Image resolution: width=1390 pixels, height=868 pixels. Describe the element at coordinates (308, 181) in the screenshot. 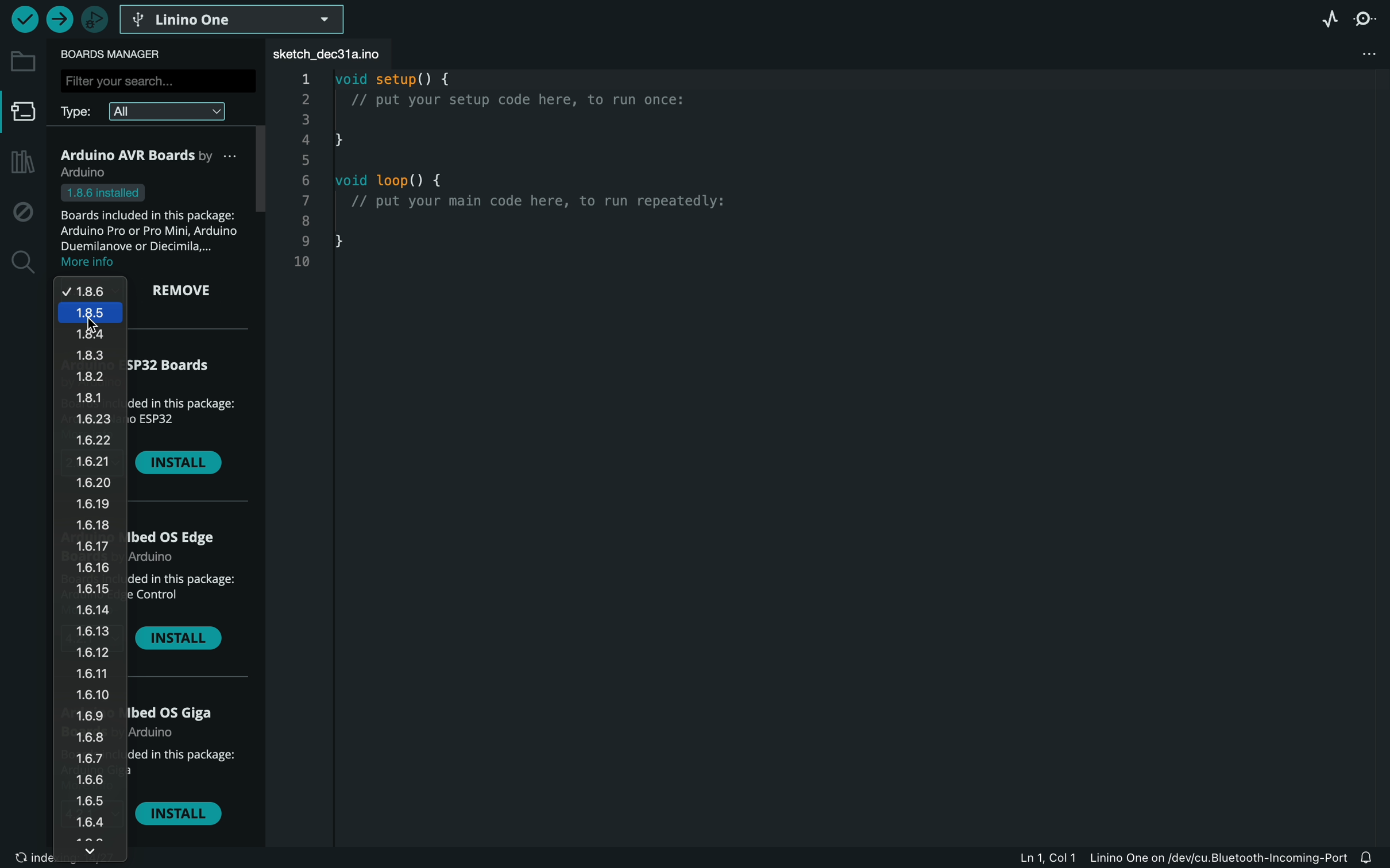

I see `6` at that location.